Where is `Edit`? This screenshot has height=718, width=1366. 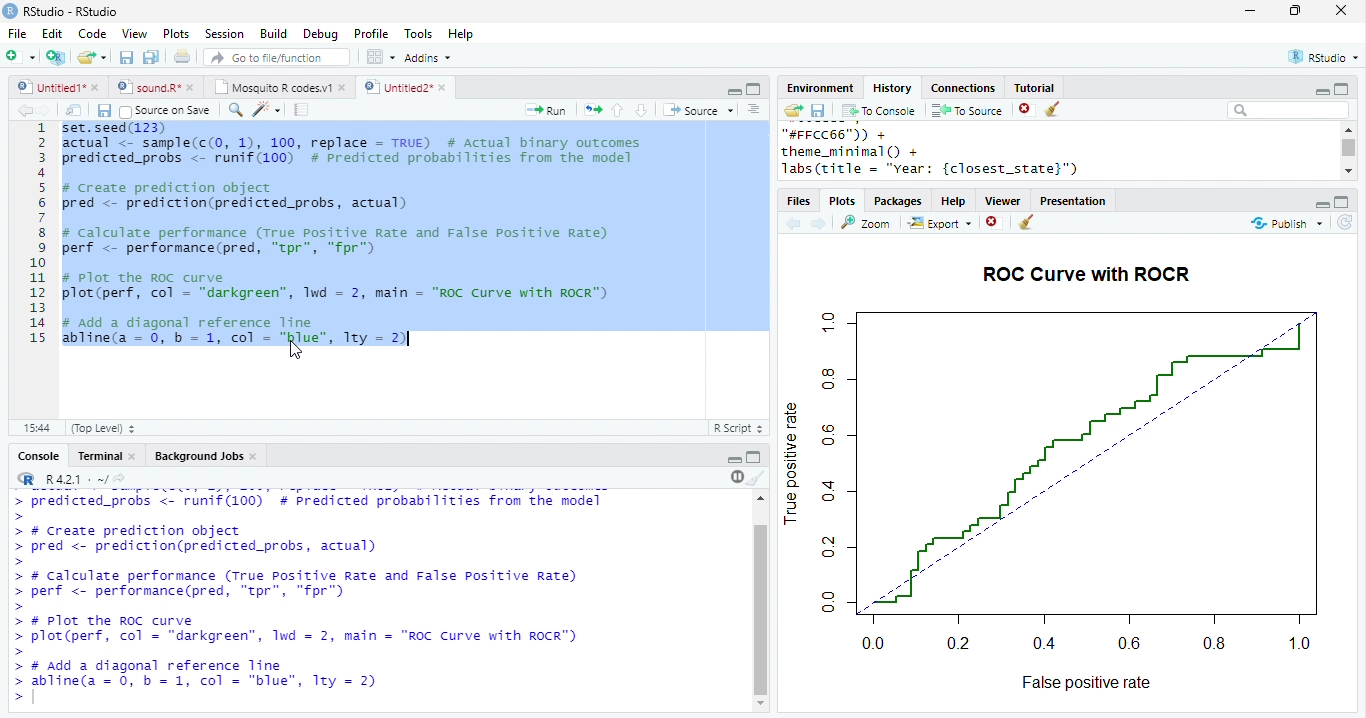
Edit is located at coordinates (52, 34).